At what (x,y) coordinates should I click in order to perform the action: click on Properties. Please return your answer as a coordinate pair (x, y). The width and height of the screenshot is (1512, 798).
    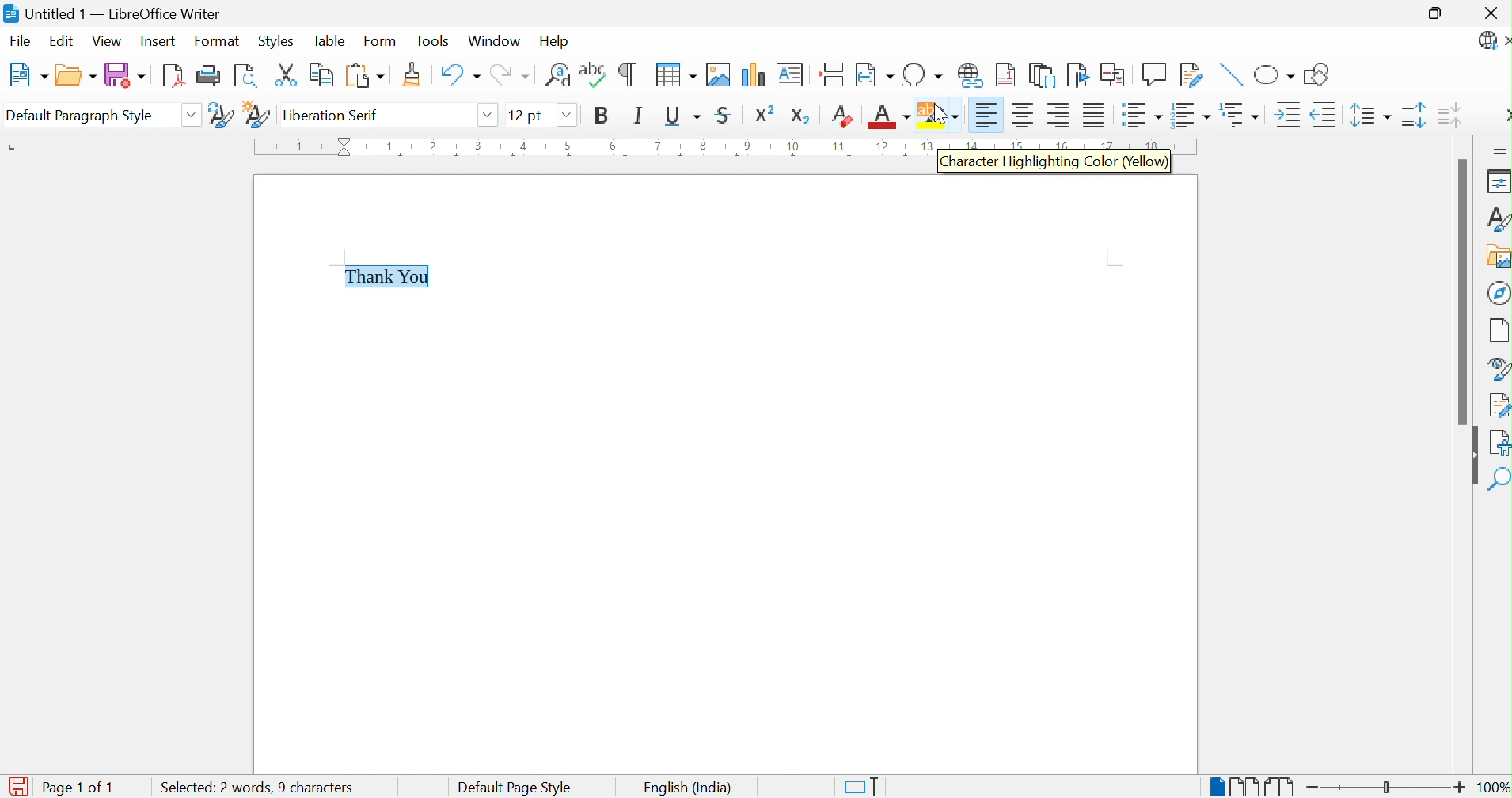
    Looking at the image, I should click on (1496, 182).